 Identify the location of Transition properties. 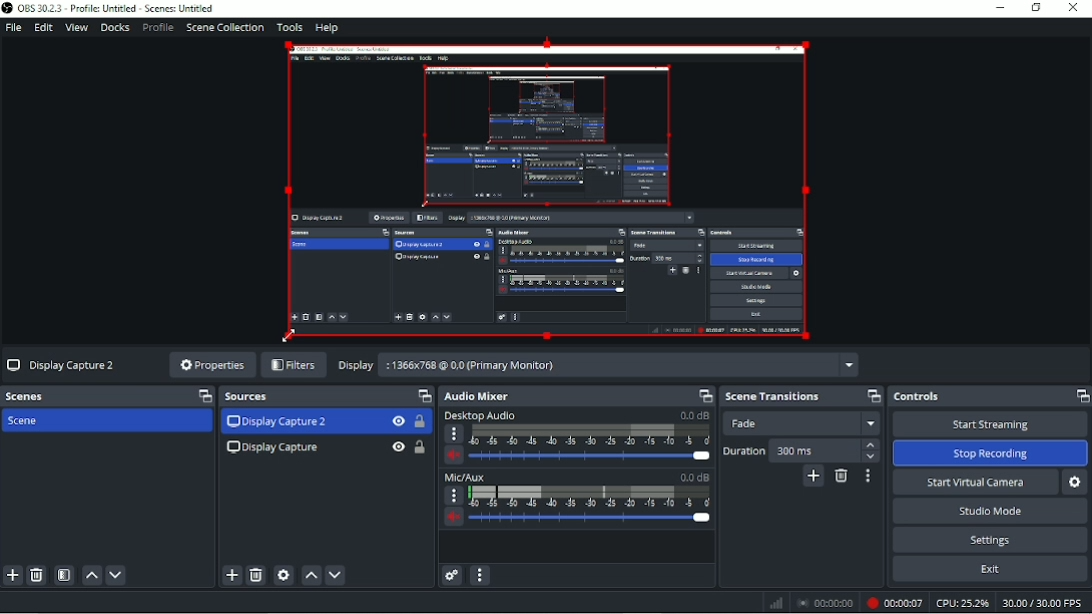
(868, 476).